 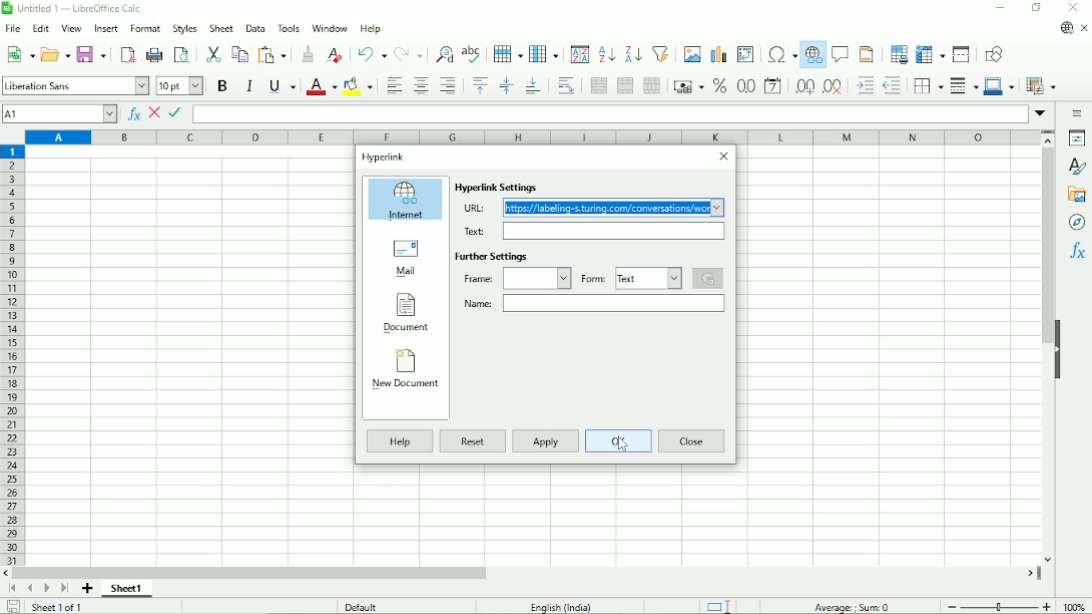 I want to click on Format as date, so click(x=774, y=86).